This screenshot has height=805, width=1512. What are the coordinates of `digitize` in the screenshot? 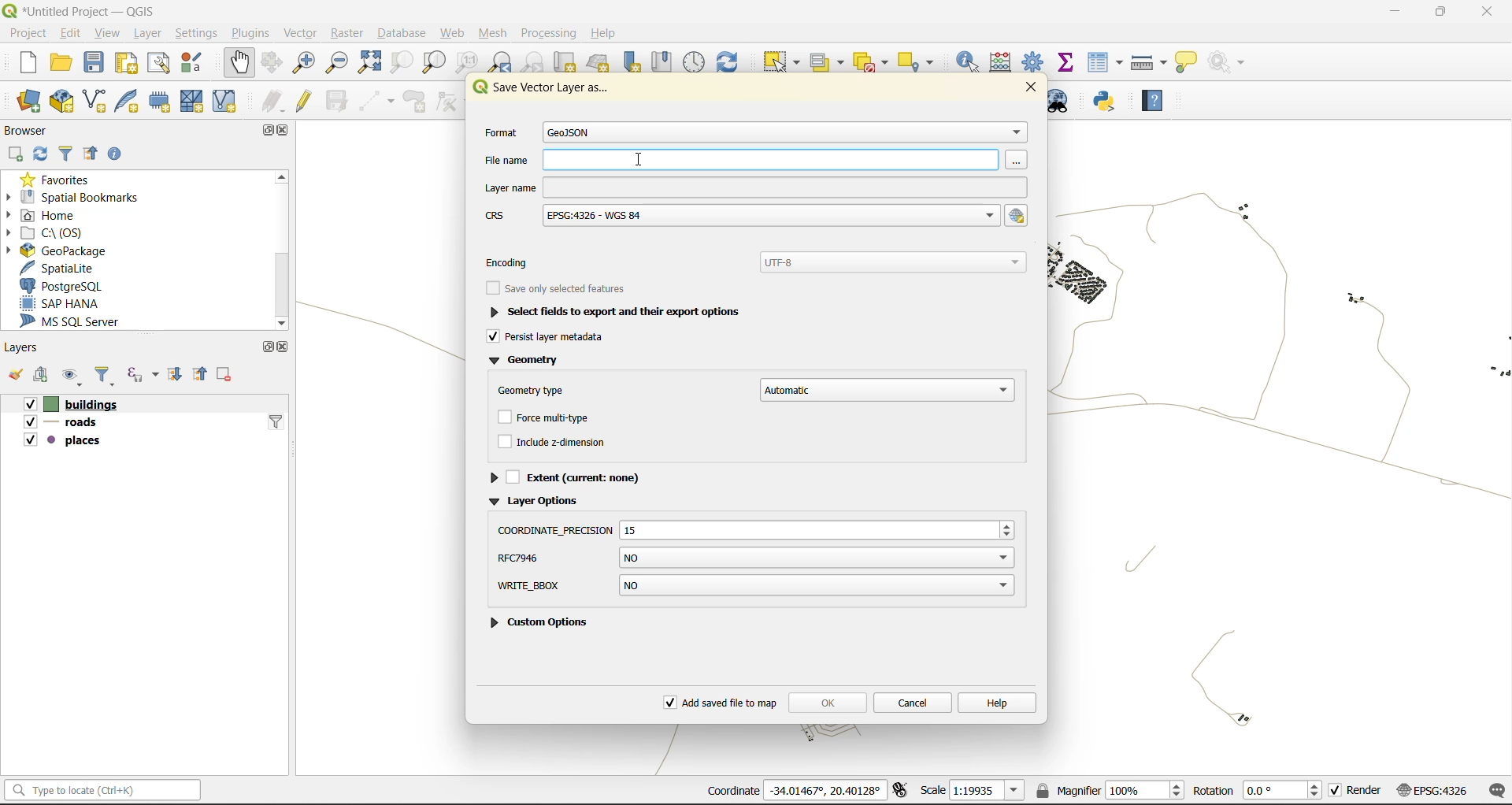 It's located at (377, 101).